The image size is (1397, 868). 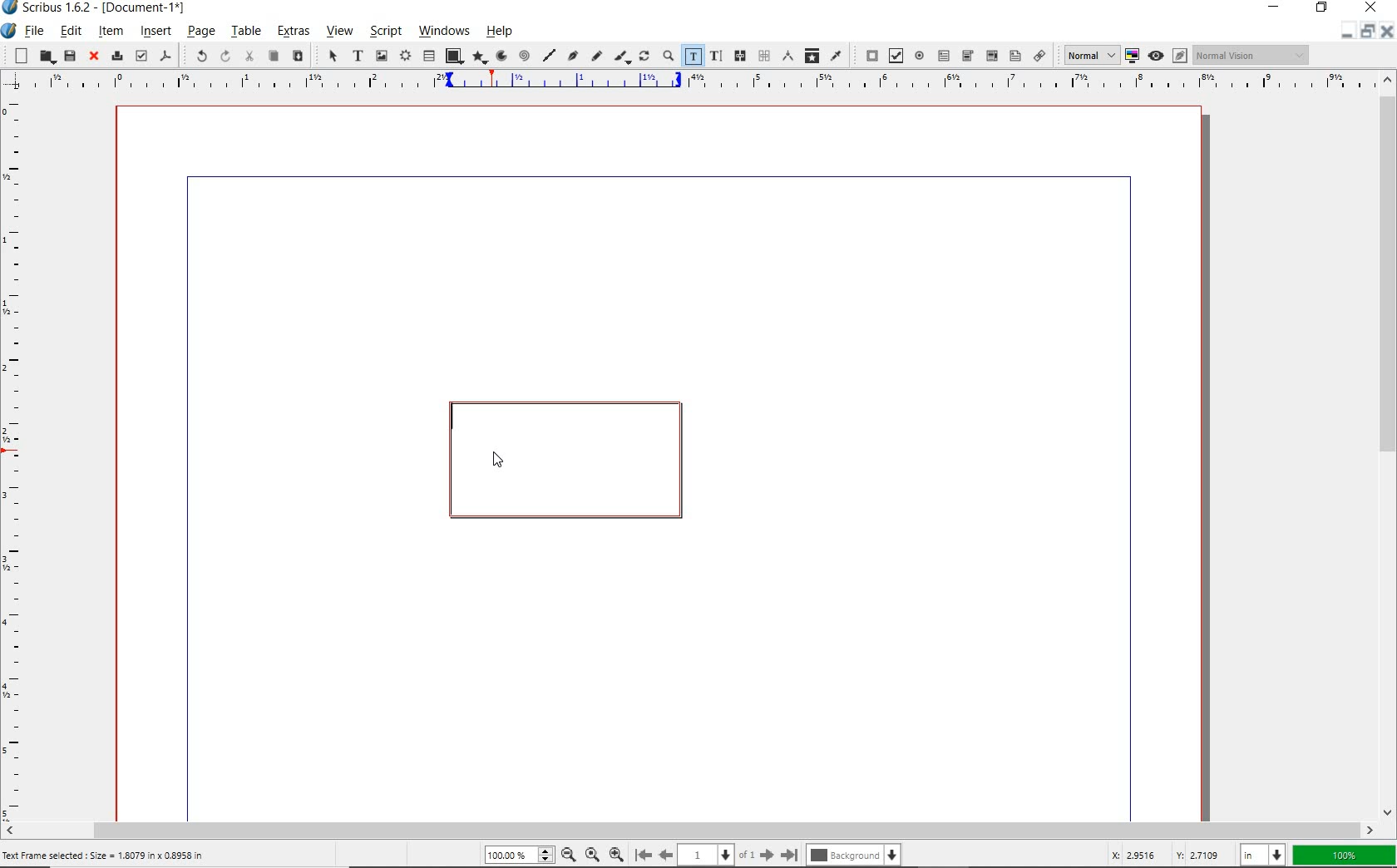 I want to click on Zoom In, so click(x=616, y=856).